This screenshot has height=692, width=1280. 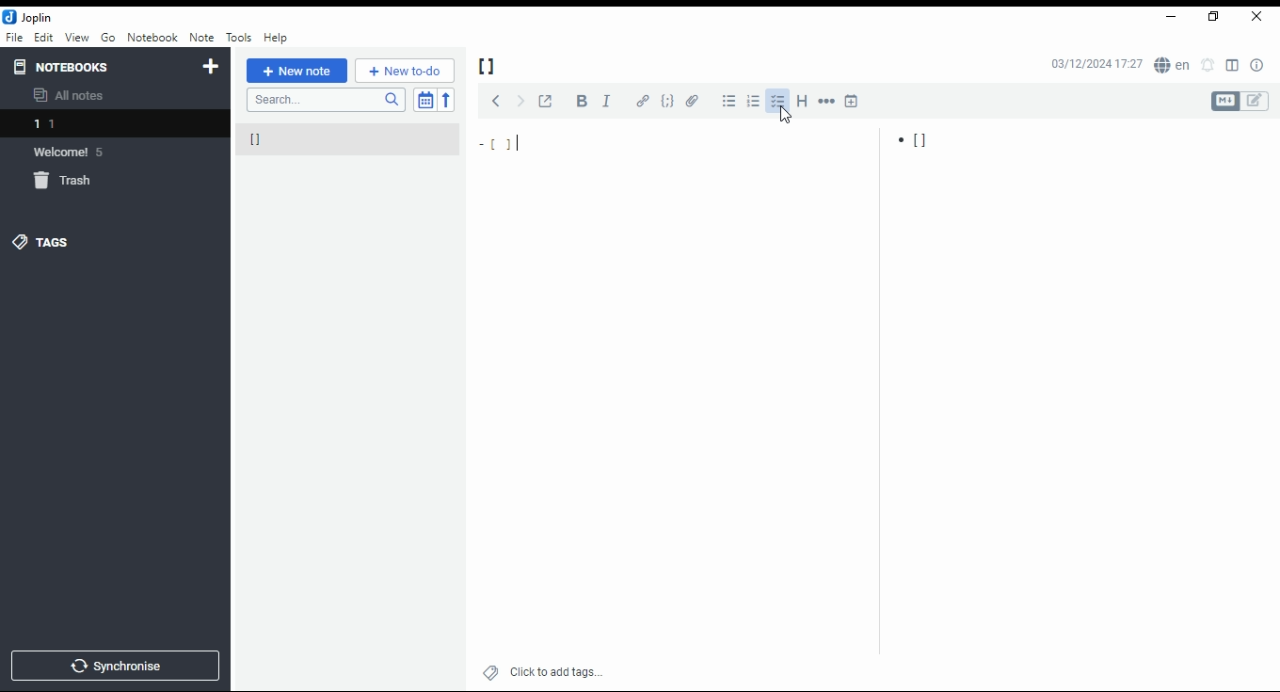 I want to click on heading, so click(x=803, y=101).